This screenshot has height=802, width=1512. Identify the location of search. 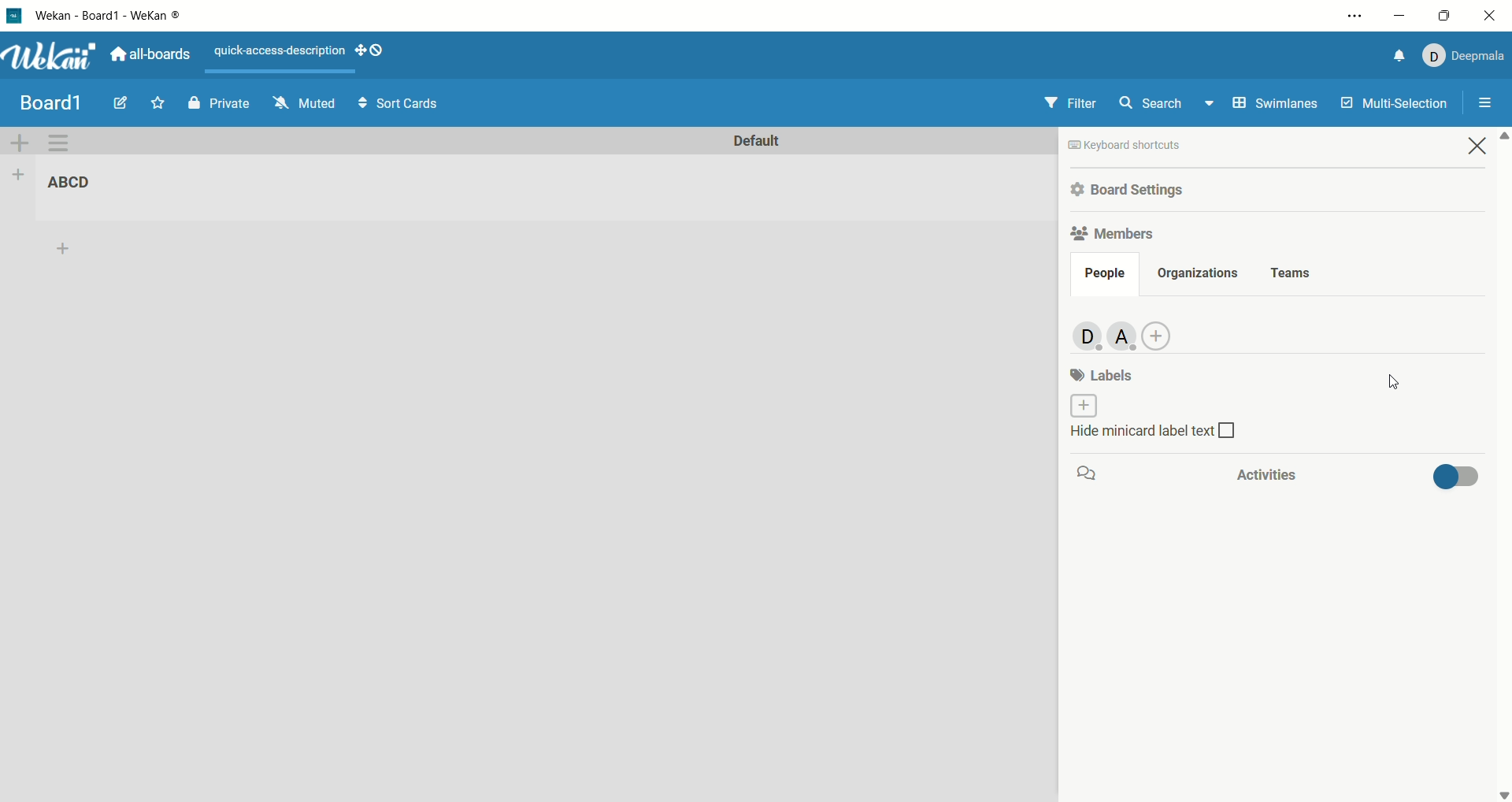
(1169, 102).